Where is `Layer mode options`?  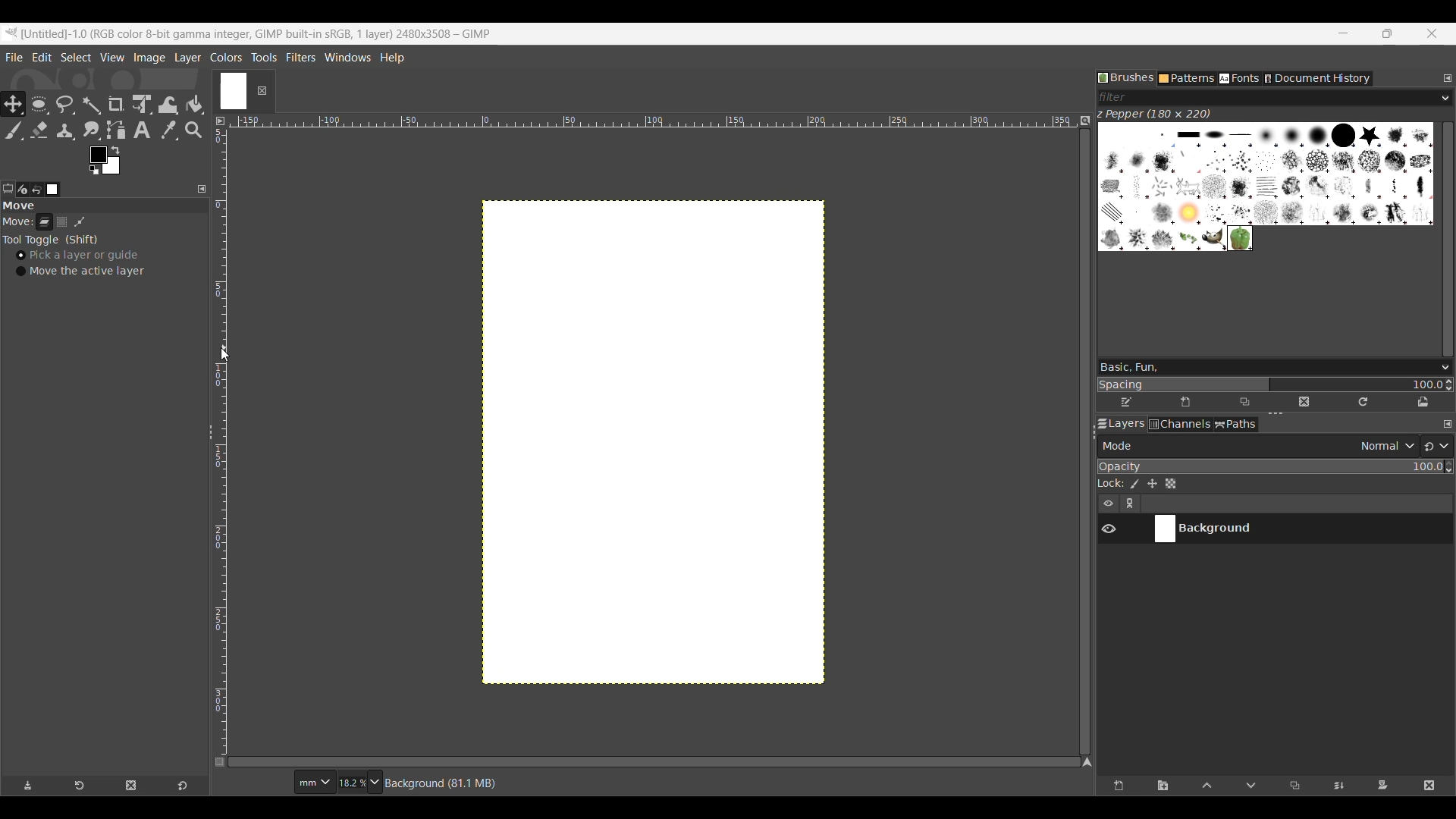 Layer mode options is located at coordinates (1257, 446).